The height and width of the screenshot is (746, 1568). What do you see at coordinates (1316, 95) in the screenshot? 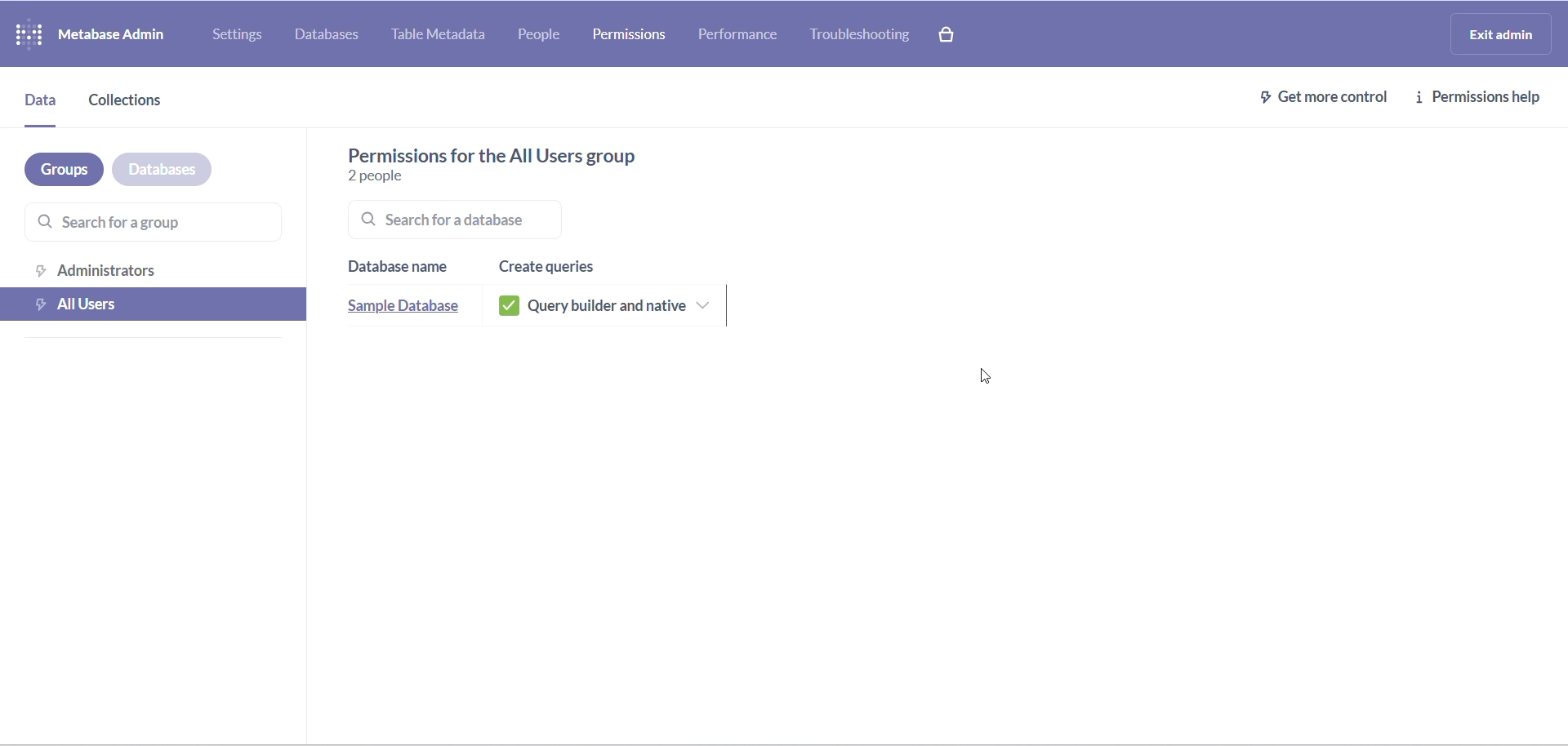
I see `get more control` at bounding box center [1316, 95].